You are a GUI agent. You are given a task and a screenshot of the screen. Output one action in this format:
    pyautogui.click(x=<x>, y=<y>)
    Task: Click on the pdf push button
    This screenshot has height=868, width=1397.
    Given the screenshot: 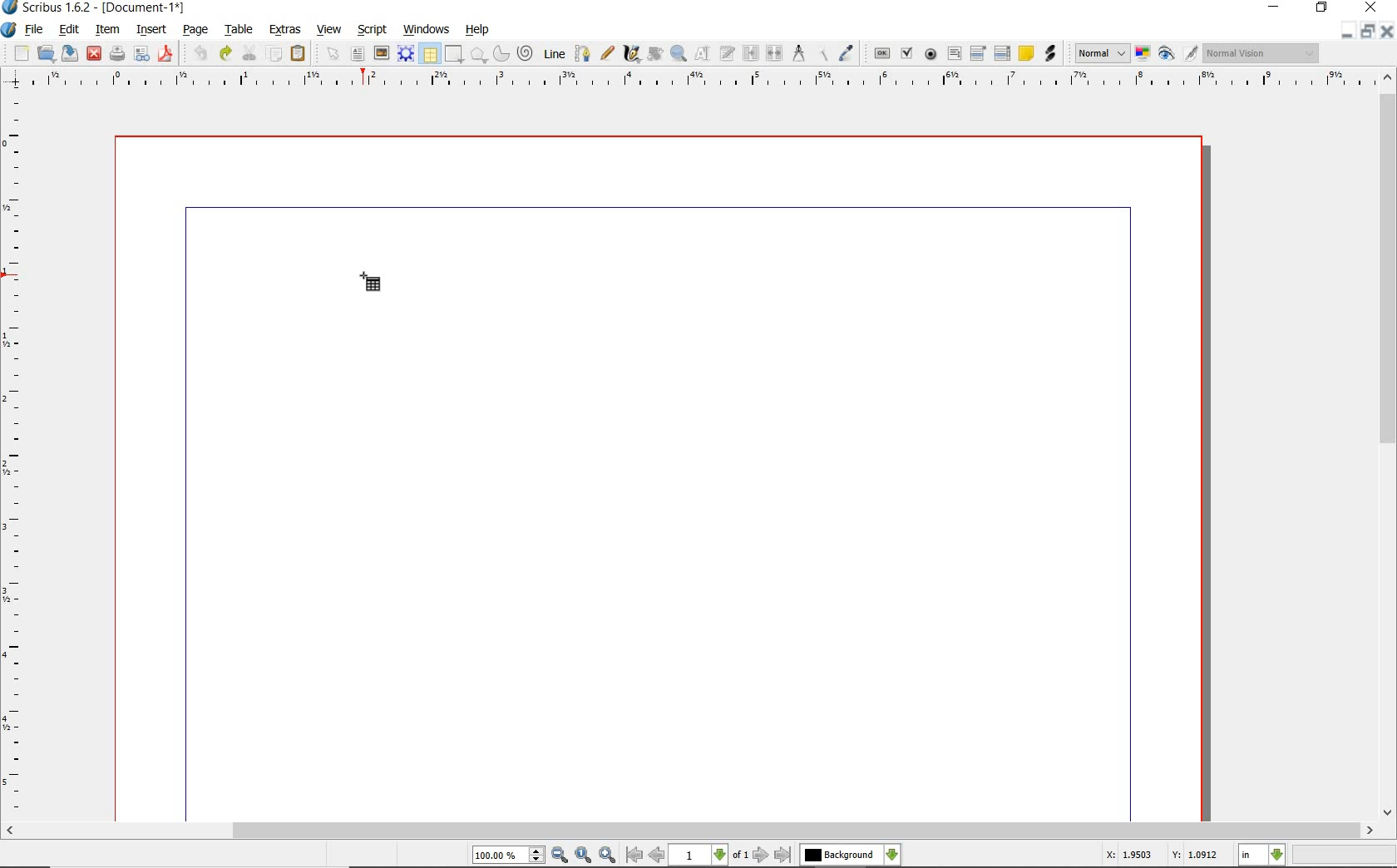 What is the action you would take?
    pyautogui.click(x=882, y=52)
    